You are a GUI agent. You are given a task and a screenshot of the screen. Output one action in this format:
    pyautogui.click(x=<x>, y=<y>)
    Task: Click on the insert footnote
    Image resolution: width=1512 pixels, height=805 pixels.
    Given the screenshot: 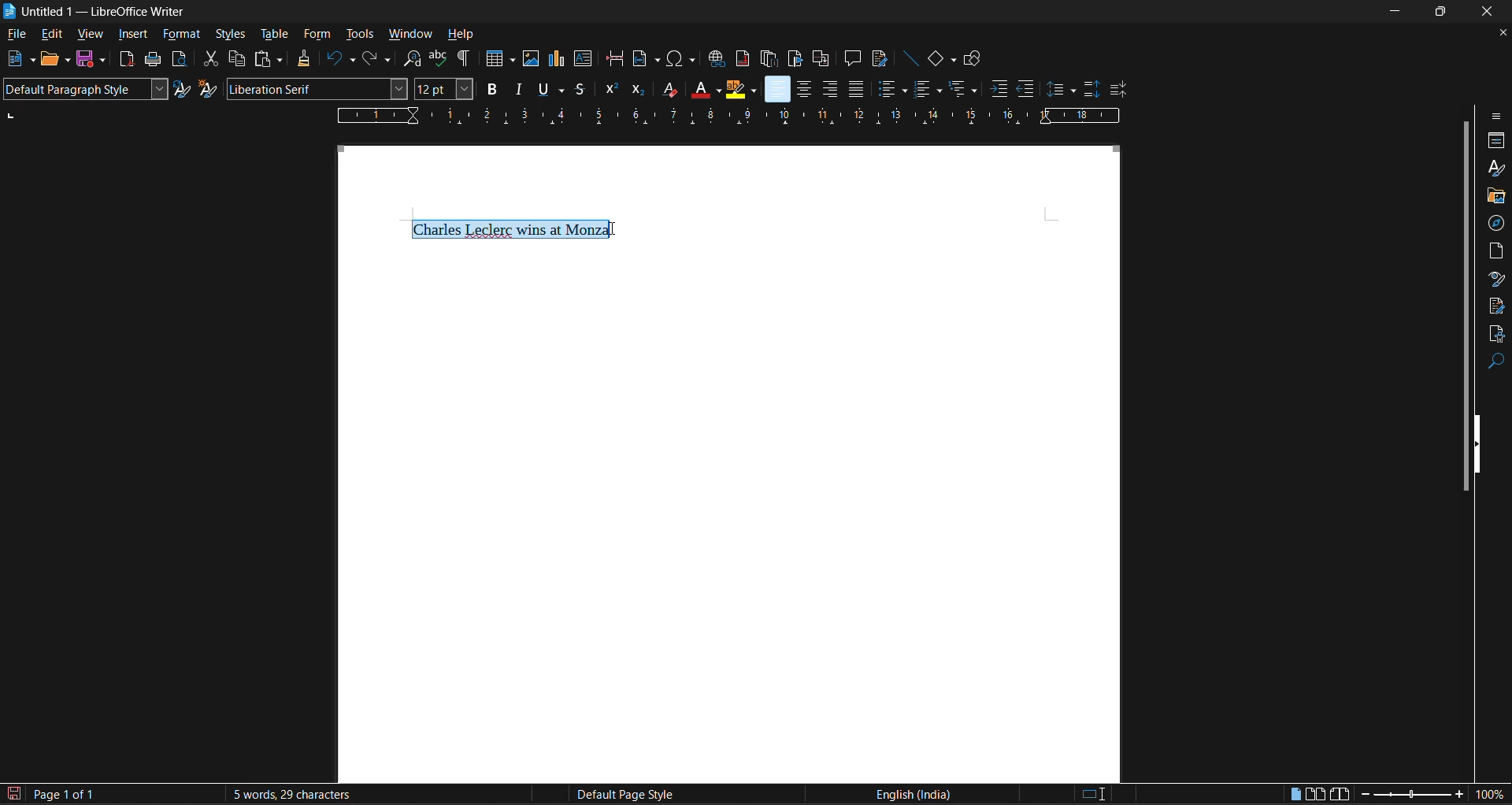 What is the action you would take?
    pyautogui.click(x=742, y=58)
    